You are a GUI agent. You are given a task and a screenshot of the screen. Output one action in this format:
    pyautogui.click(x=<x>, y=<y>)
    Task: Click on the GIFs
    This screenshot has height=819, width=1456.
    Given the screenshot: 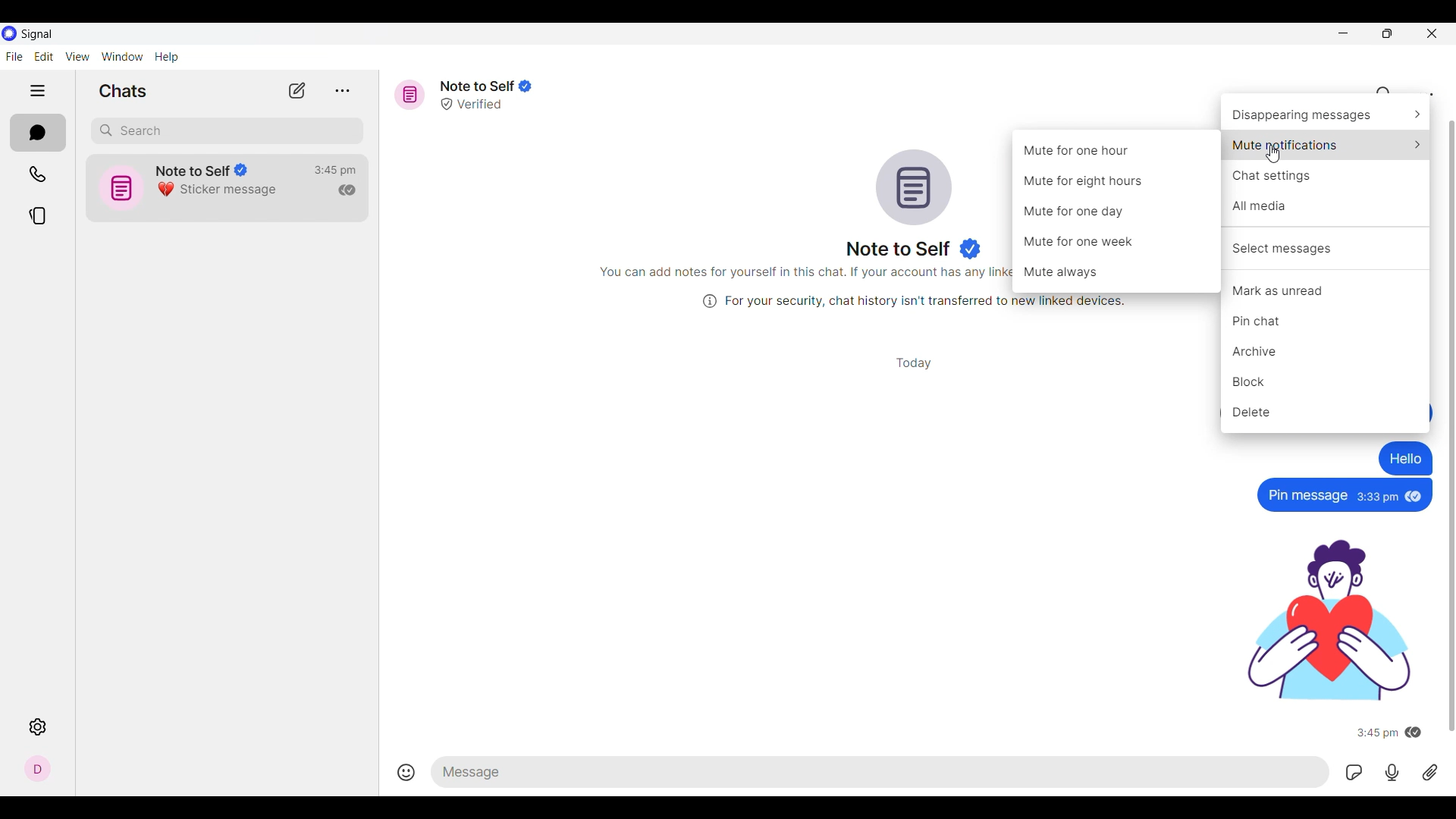 What is the action you would take?
    pyautogui.click(x=1354, y=772)
    